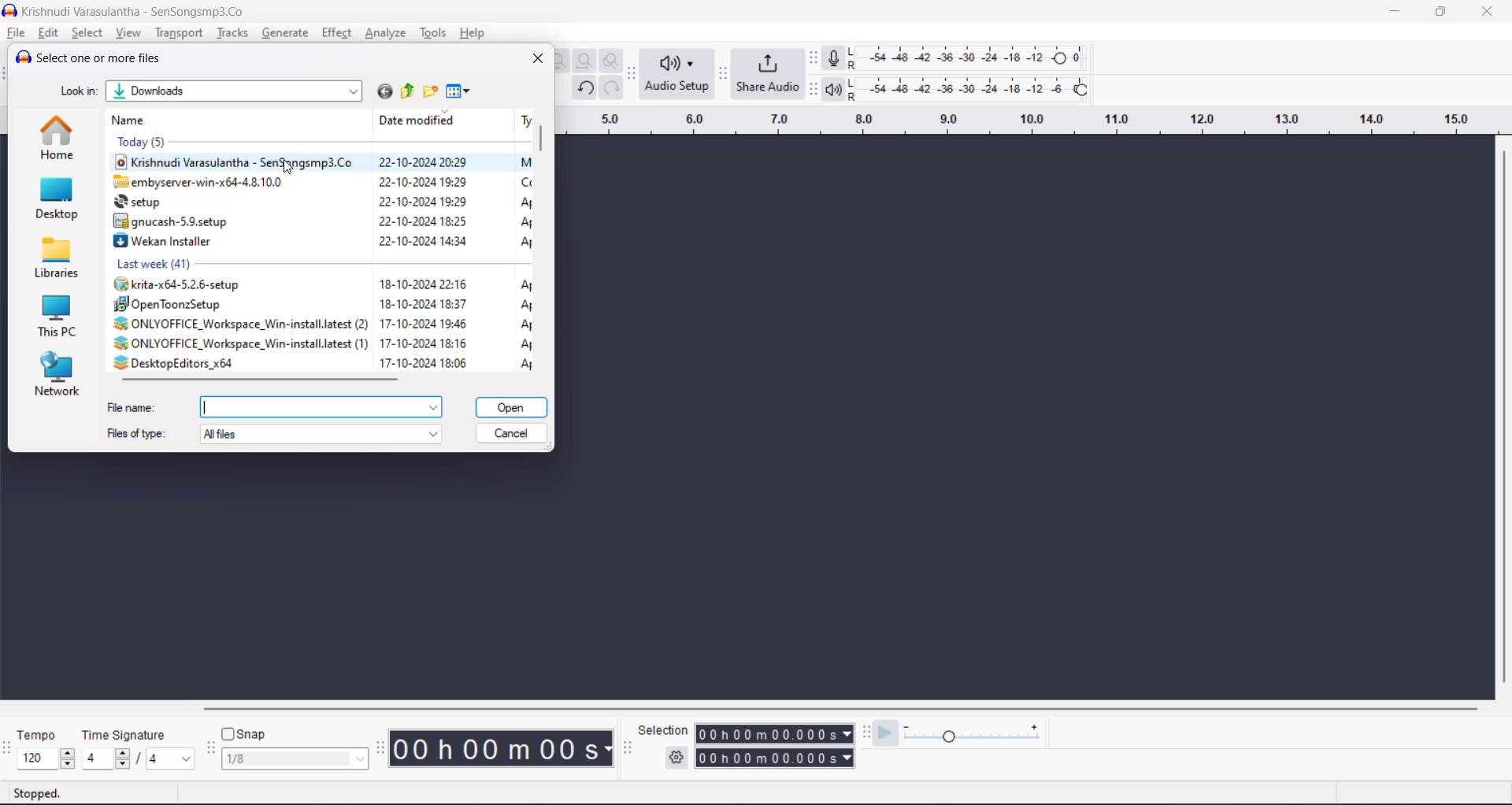 This screenshot has width=1512, height=805. I want to click on analyze, so click(388, 33).